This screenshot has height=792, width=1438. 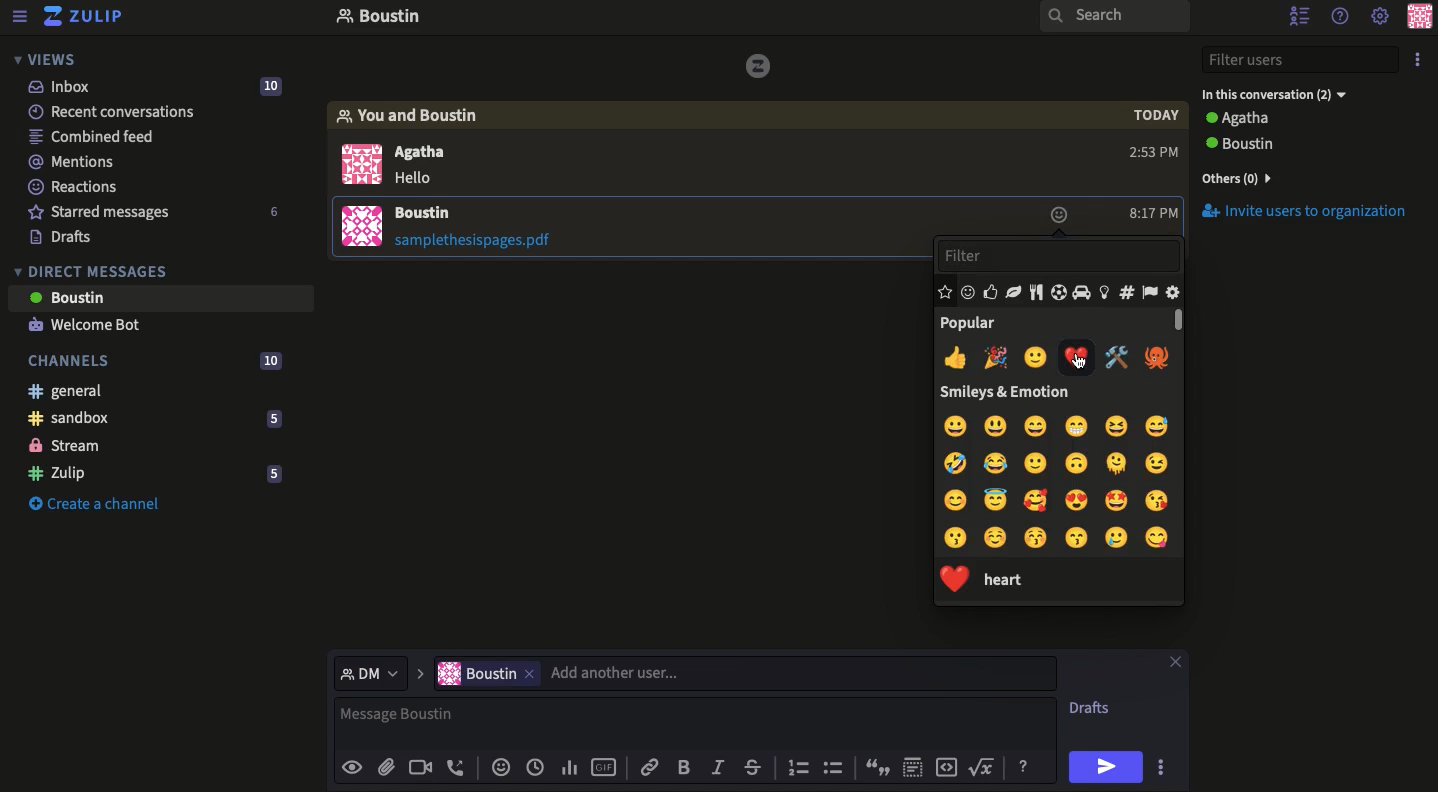 I want to click on Drafts, so click(x=59, y=238).